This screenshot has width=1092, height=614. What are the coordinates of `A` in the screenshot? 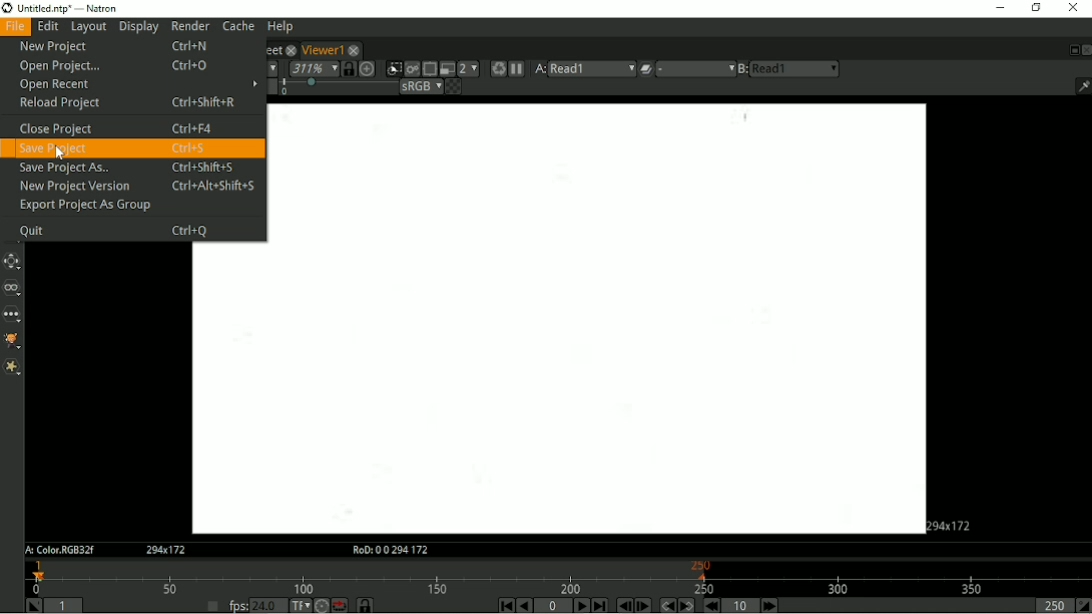 It's located at (59, 550).